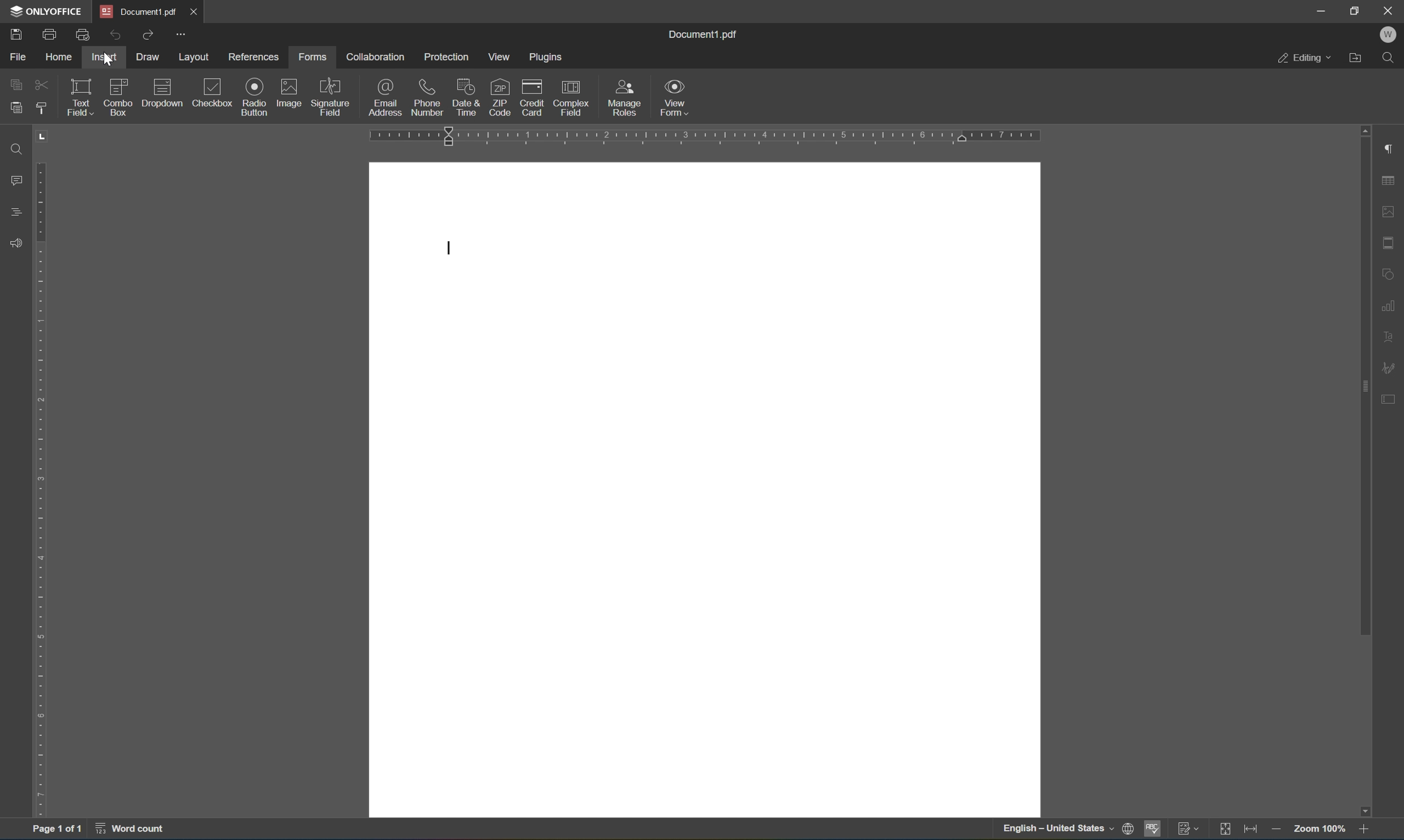 This screenshot has width=1404, height=840. I want to click on Open file location, so click(1356, 58).